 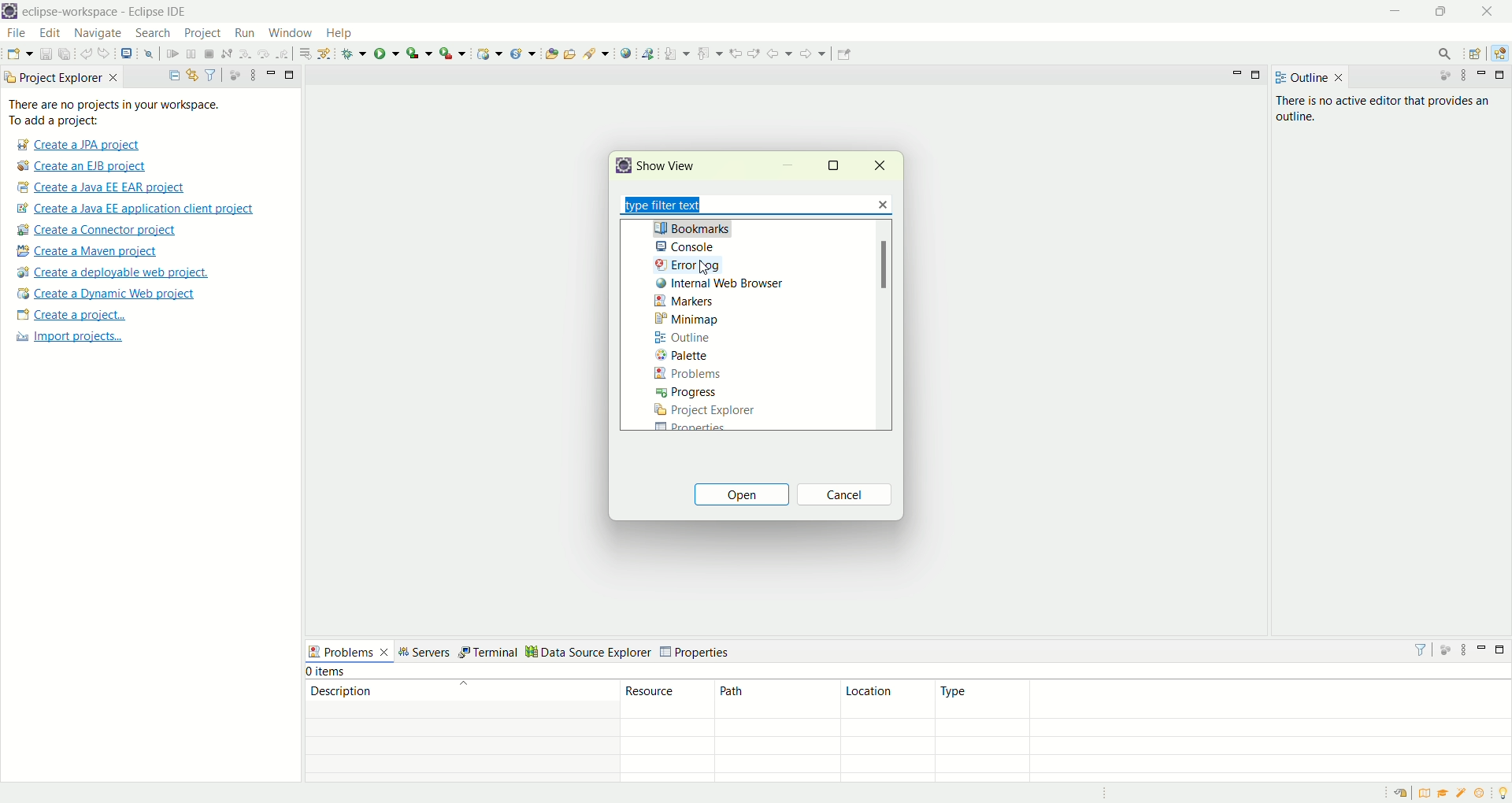 I want to click on skip all the breakpoints, so click(x=148, y=54).